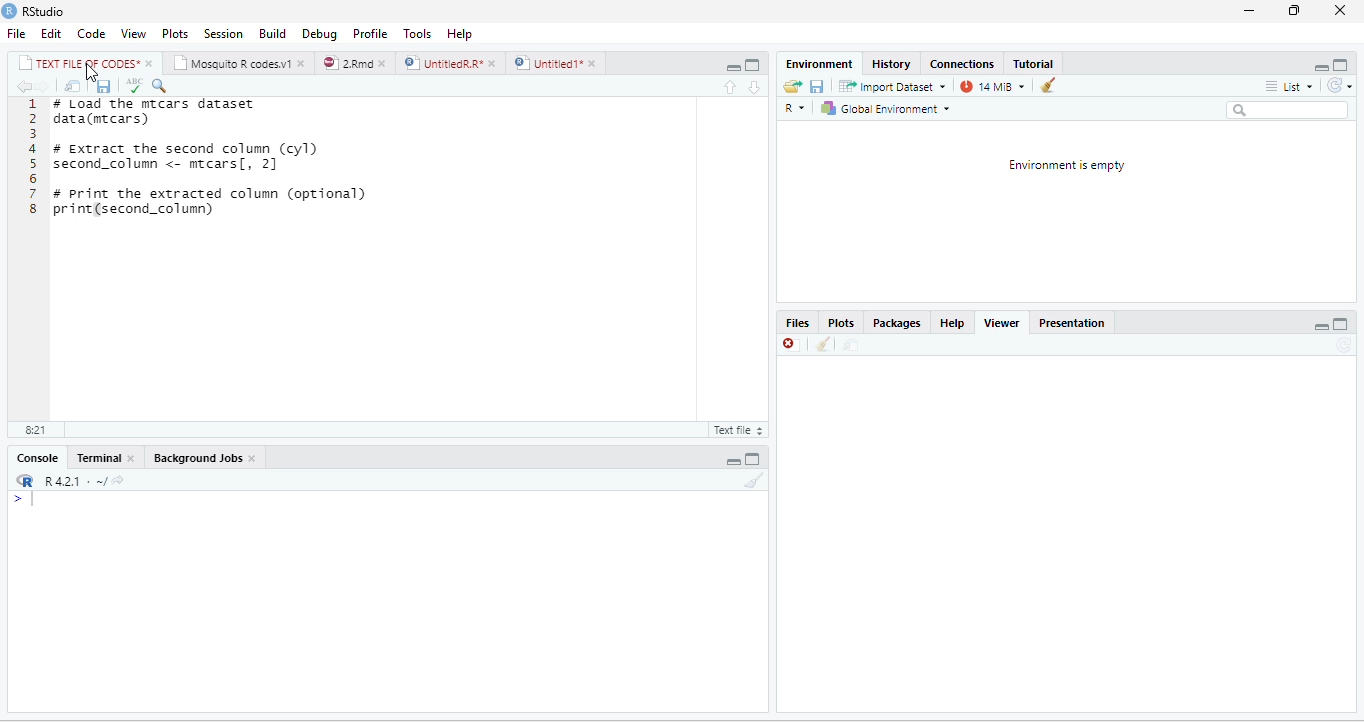 This screenshot has height=722, width=1364. Describe the element at coordinates (1032, 62) in the screenshot. I see `Tutorial` at that location.